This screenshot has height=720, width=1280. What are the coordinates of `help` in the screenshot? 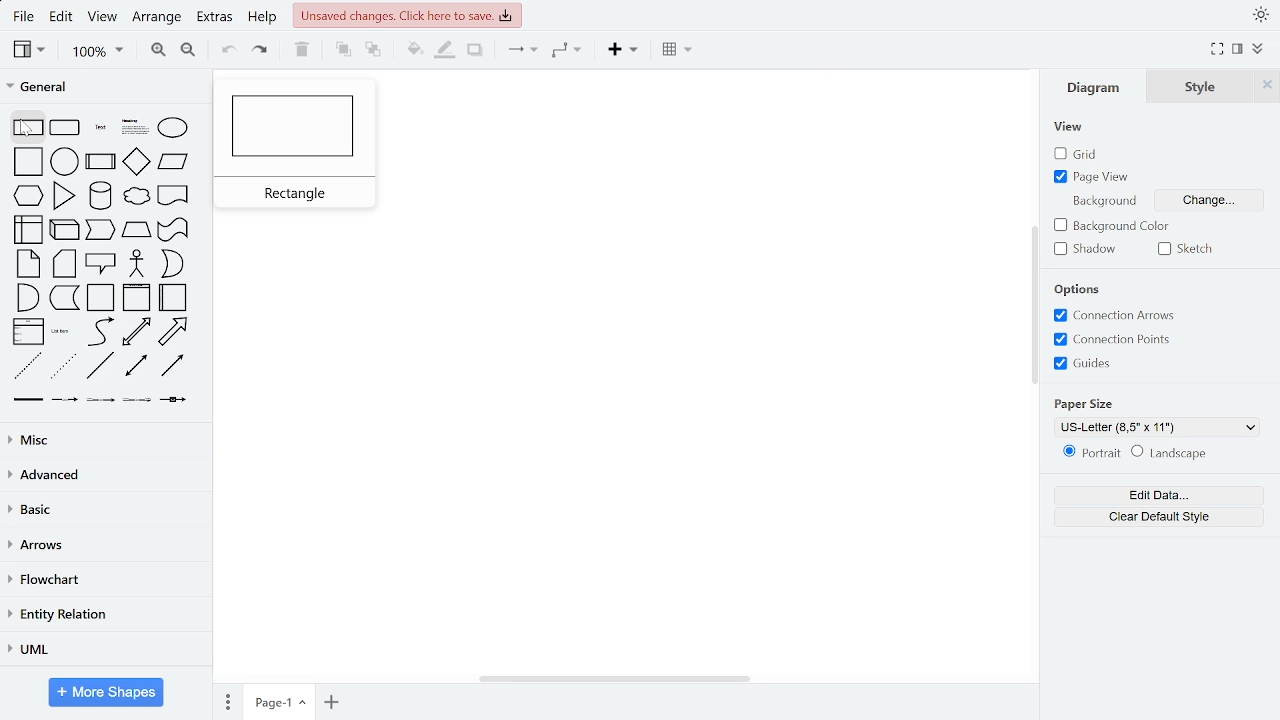 It's located at (263, 19).